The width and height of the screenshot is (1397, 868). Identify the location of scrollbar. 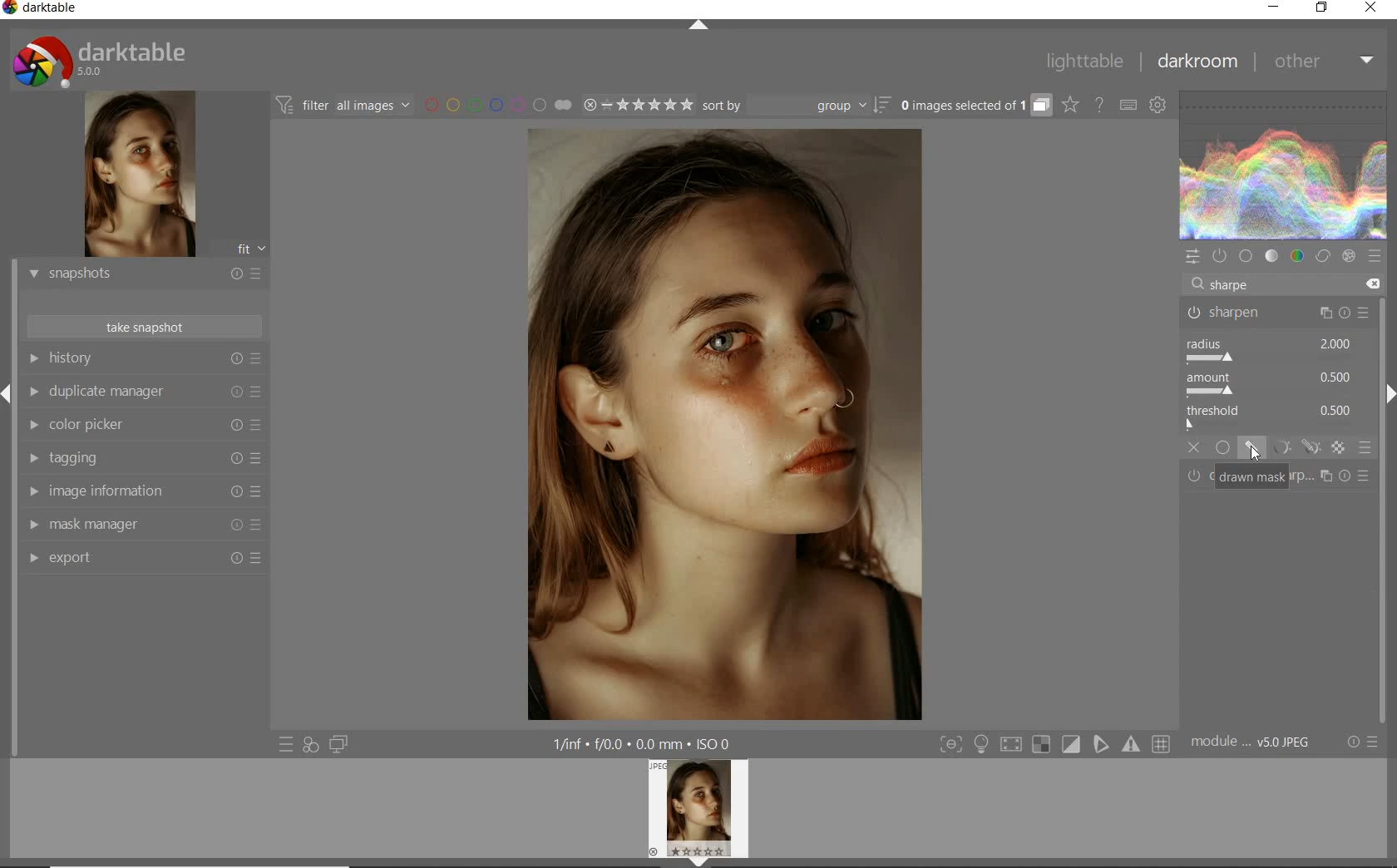
(1387, 510).